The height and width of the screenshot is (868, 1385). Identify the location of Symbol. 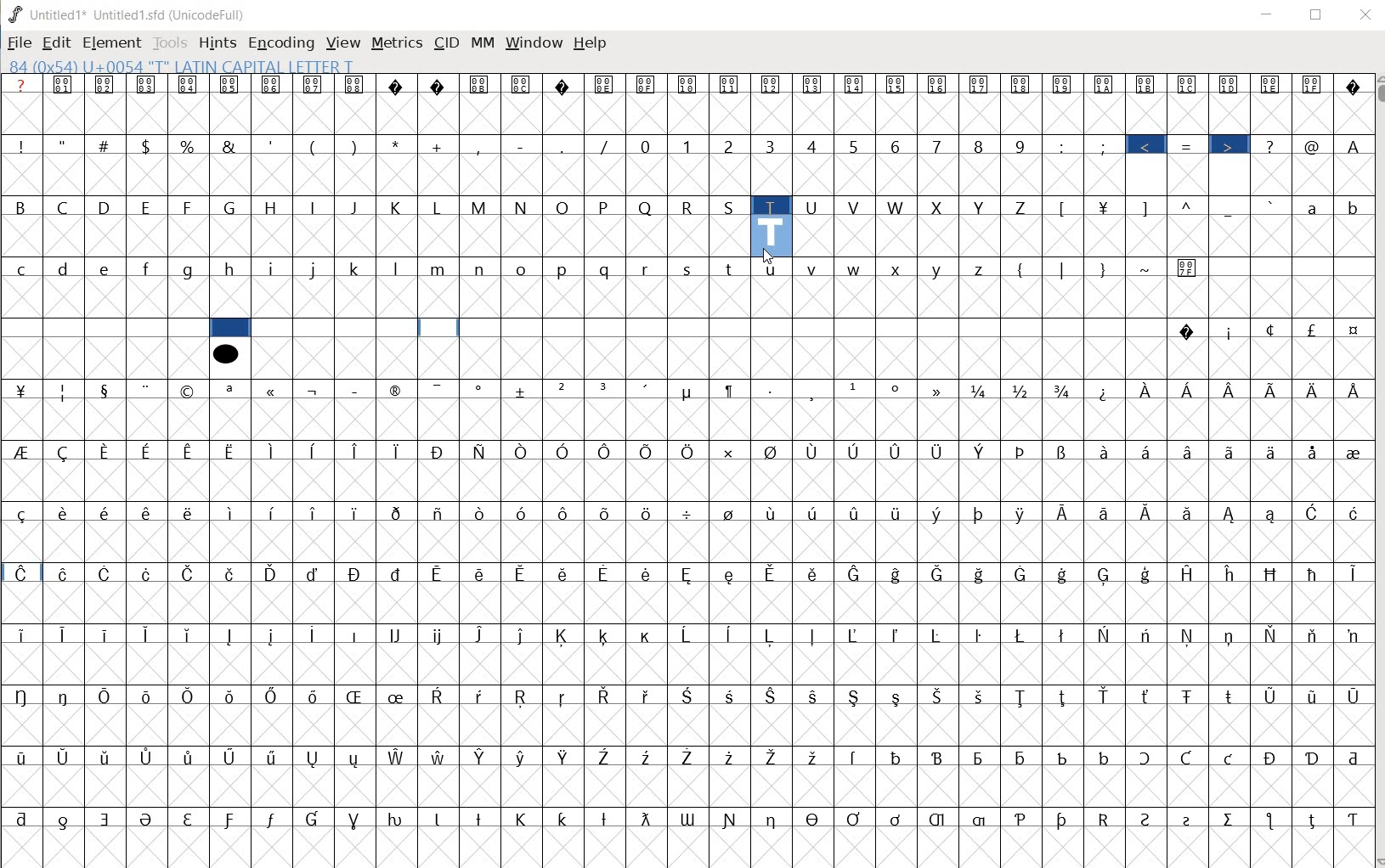
(482, 513).